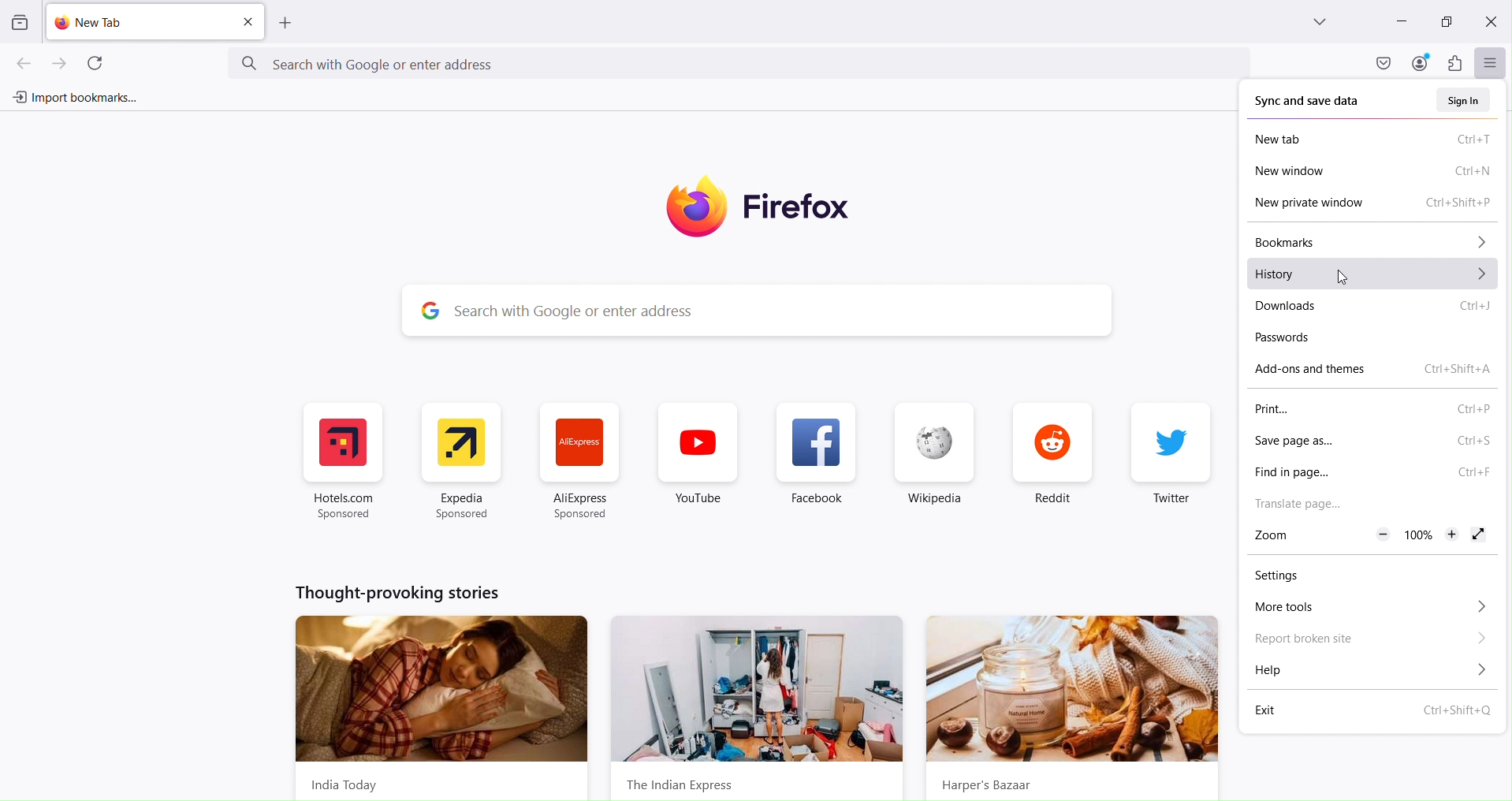  What do you see at coordinates (1378, 242) in the screenshot?
I see `Bookmarks` at bounding box center [1378, 242].